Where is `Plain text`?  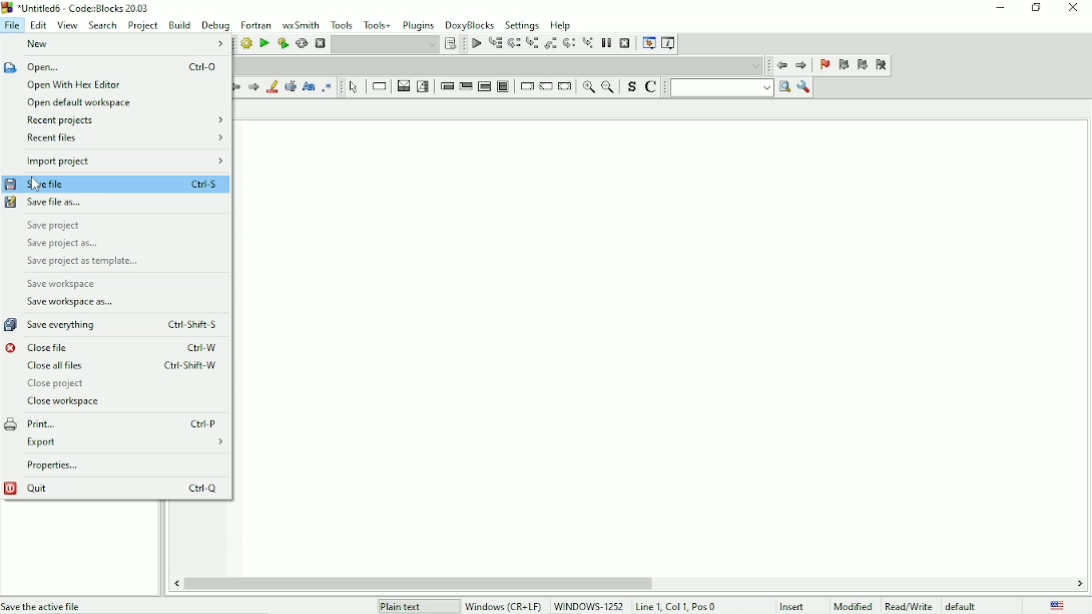
Plain text is located at coordinates (403, 606).